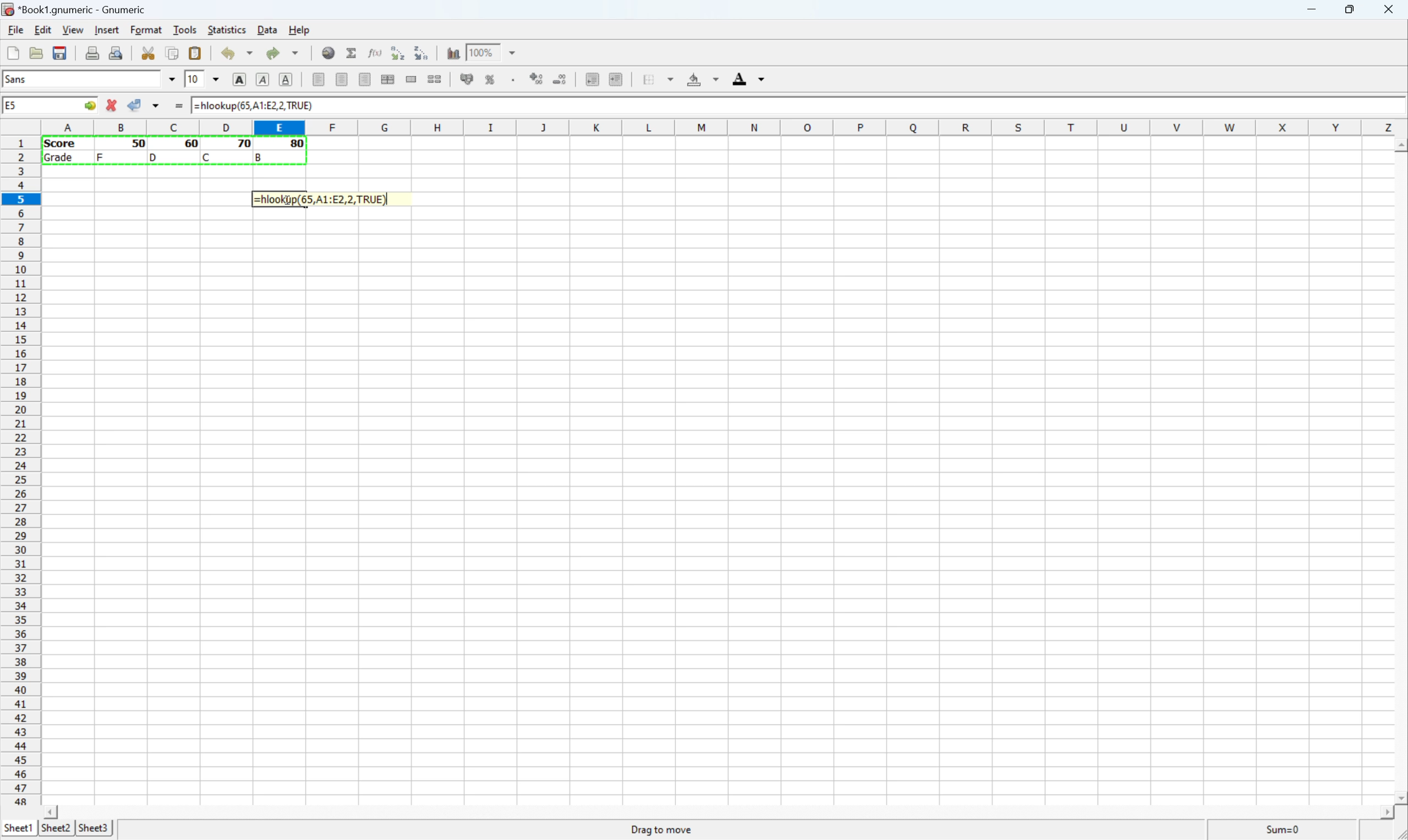 The width and height of the screenshot is (1408, 840). What do you see at coordinates (260, 80) in the screenshot?
I see `Italic` at bounding box center [260, 80].